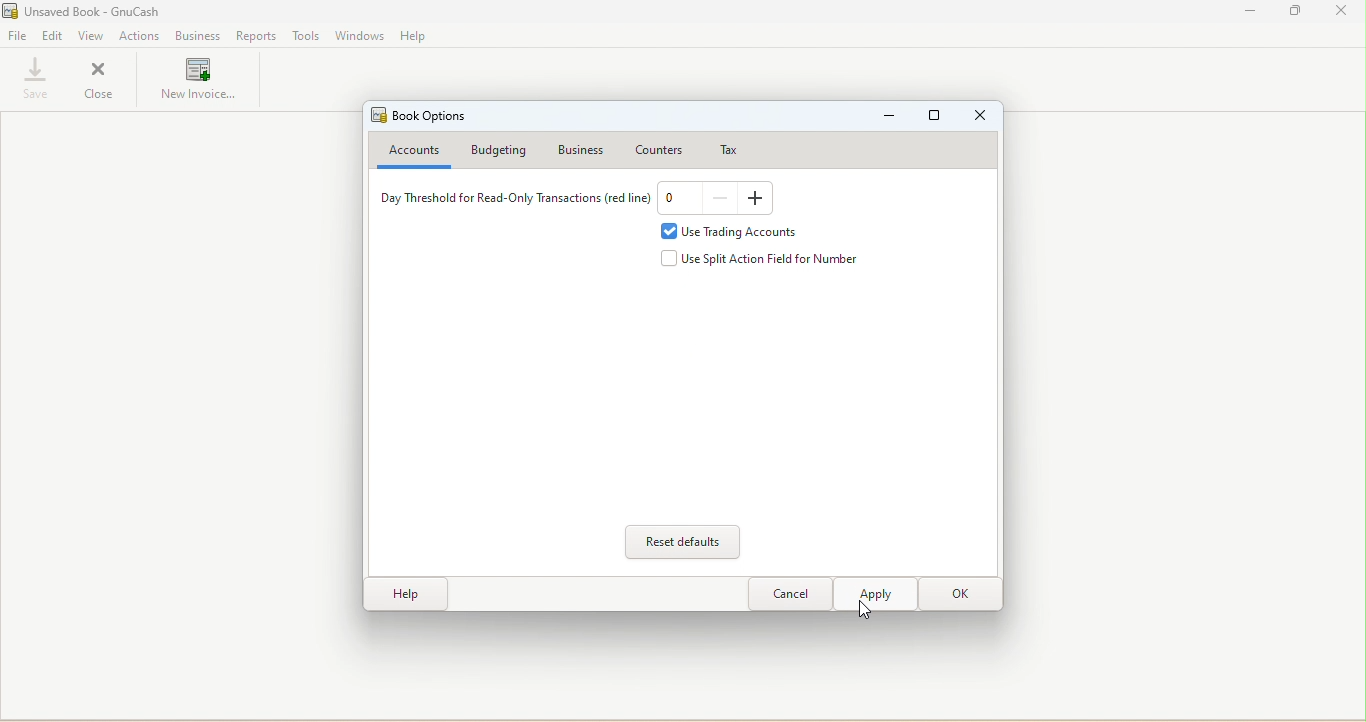 The image size is (1366, 722). What do you see at coordinates (423, 116) in the screenshot?
I see `Book options` at bounding box center [423, 116].